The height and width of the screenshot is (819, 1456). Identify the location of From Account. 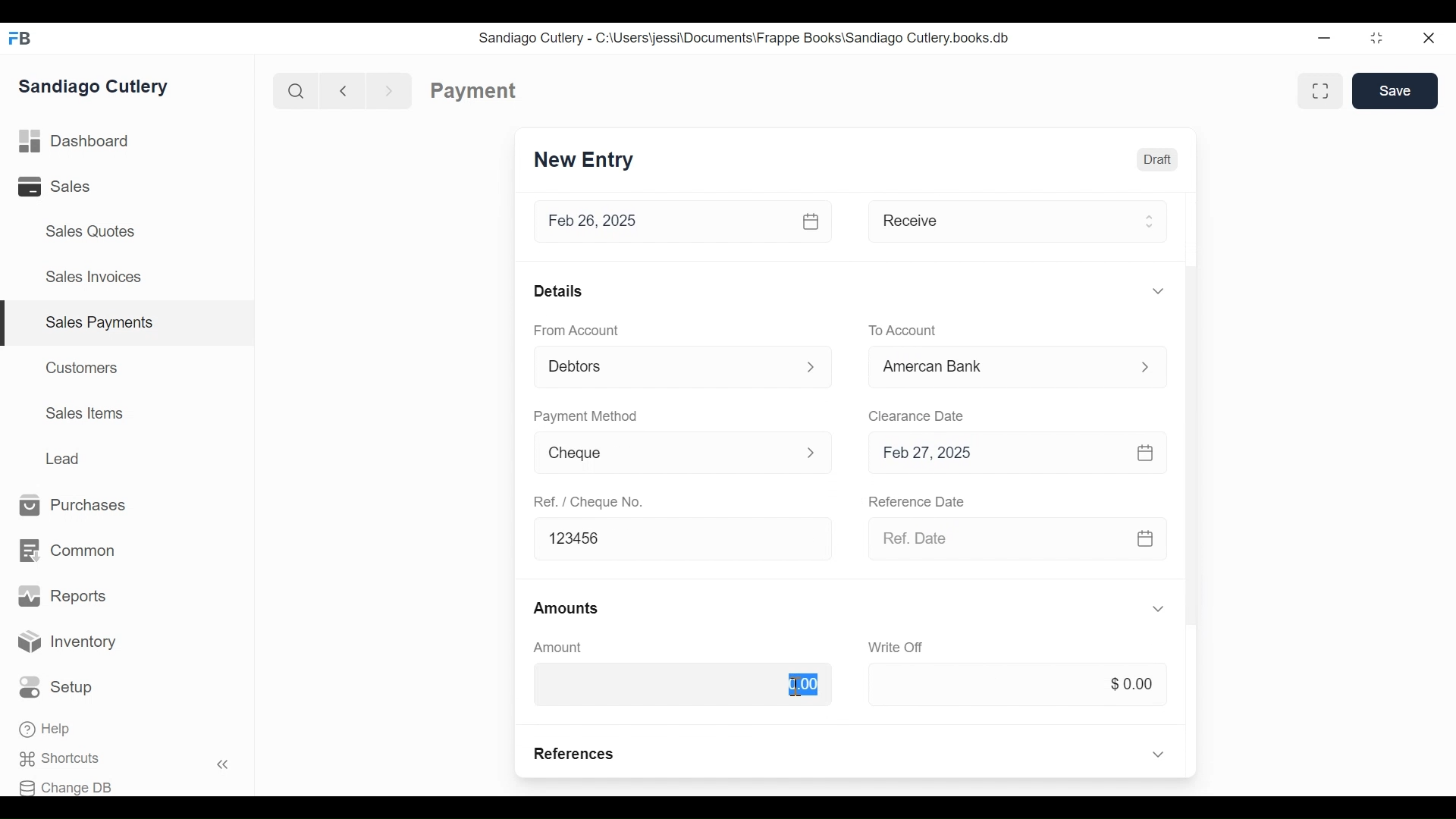
(575, 329).